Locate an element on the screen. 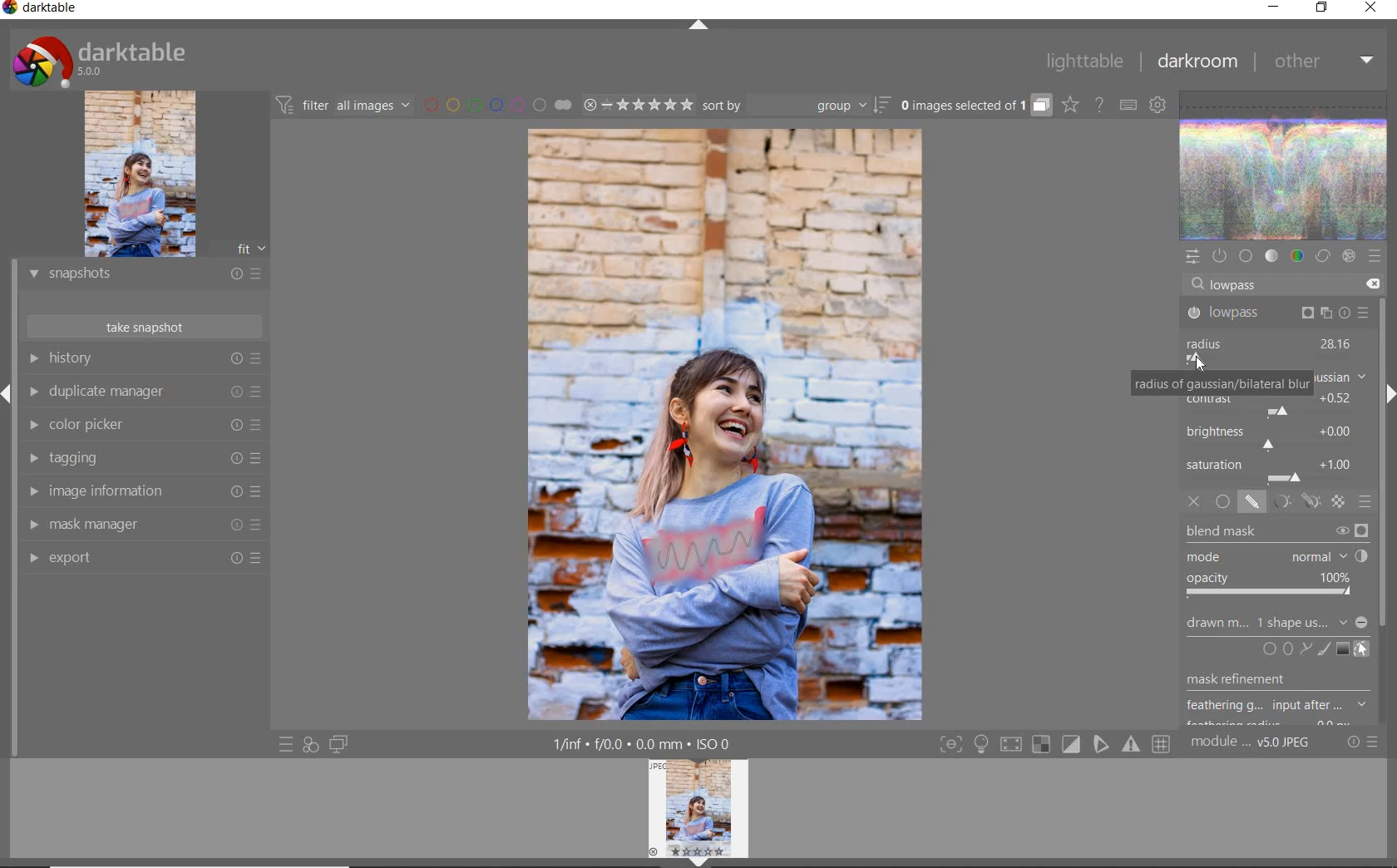 This screenshot has width=1397, height=868. set keyboard shortcuts is located at coordinates (1127, 104).